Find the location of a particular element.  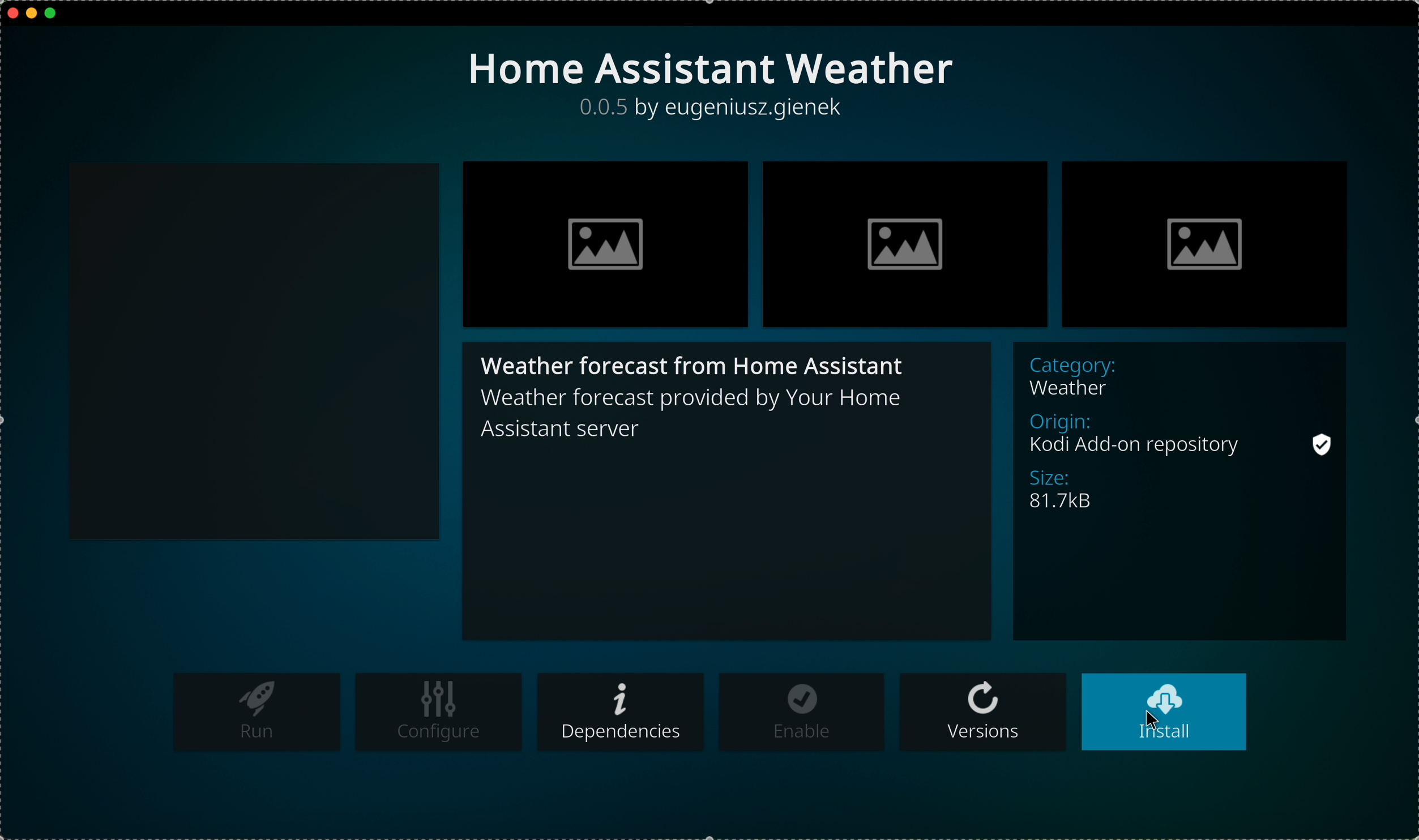

cursor is located at coordinates (1153, 722).